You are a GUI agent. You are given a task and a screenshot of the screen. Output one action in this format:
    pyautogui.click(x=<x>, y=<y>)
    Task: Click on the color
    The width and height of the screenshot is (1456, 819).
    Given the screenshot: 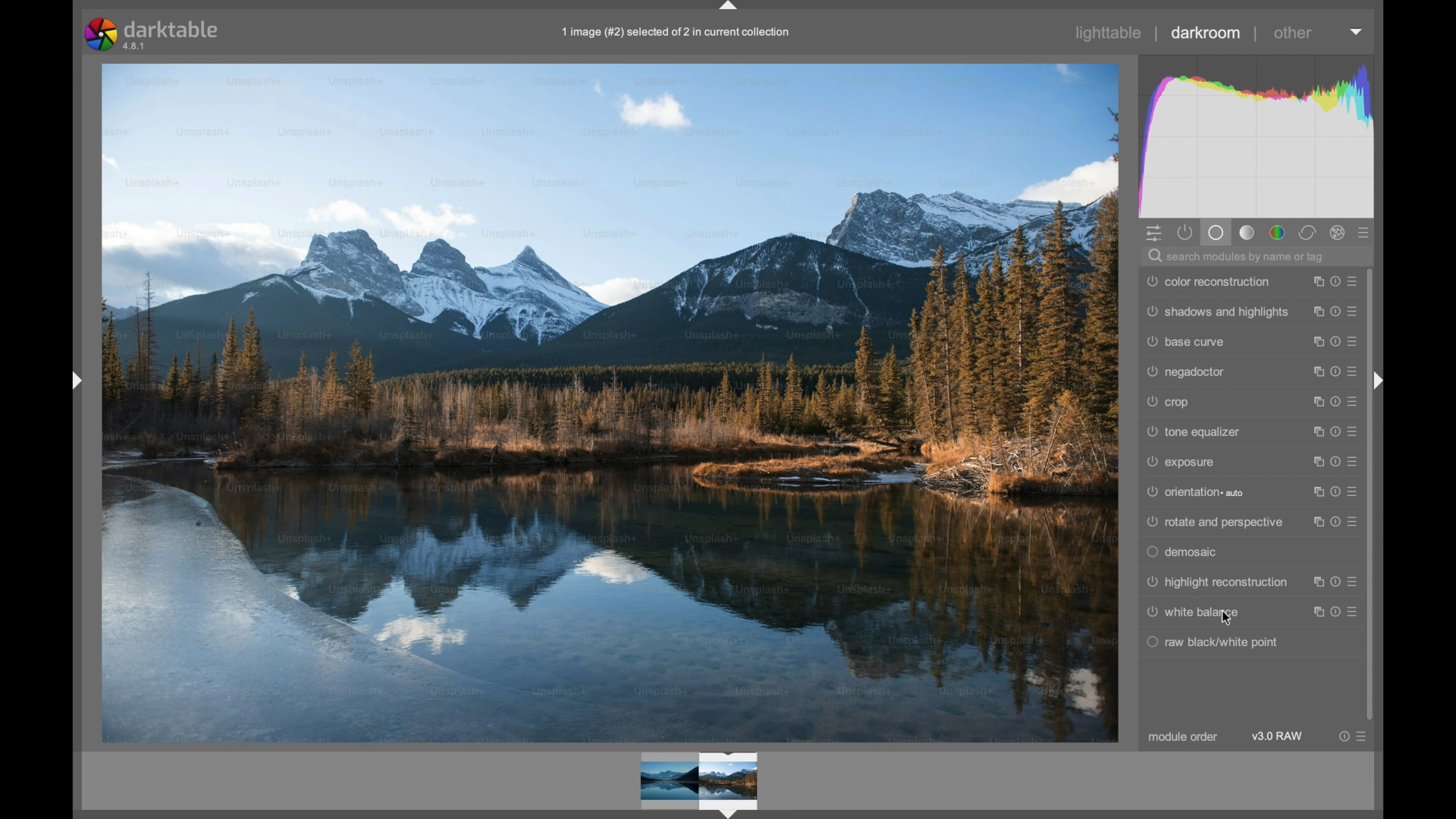 What is the action you would take?
    pyautogui.click(x=1279, y=233)
    